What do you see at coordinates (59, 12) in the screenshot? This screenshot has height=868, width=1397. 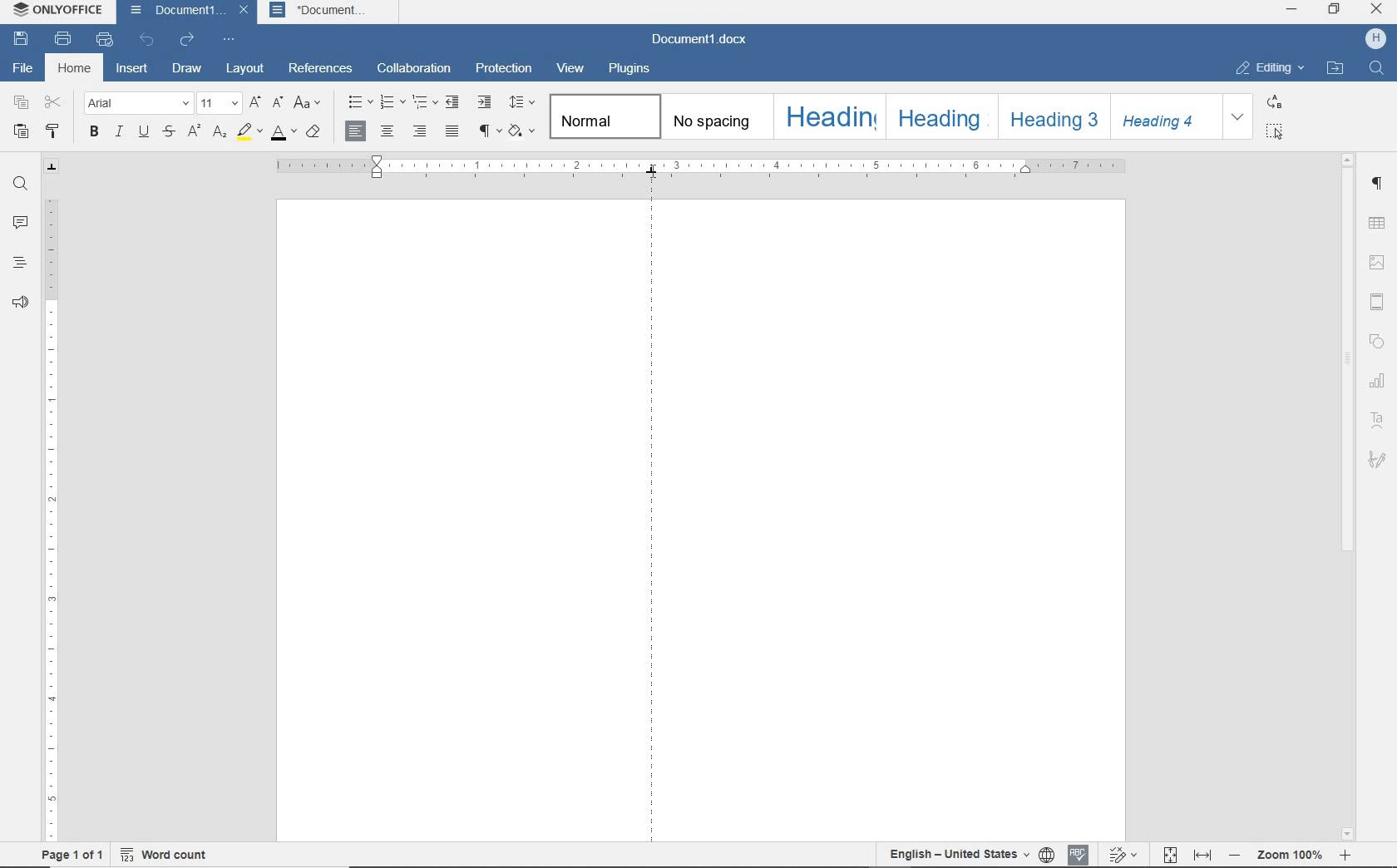 I see `SYSTEM NAME` at bounding box center [59, 12].